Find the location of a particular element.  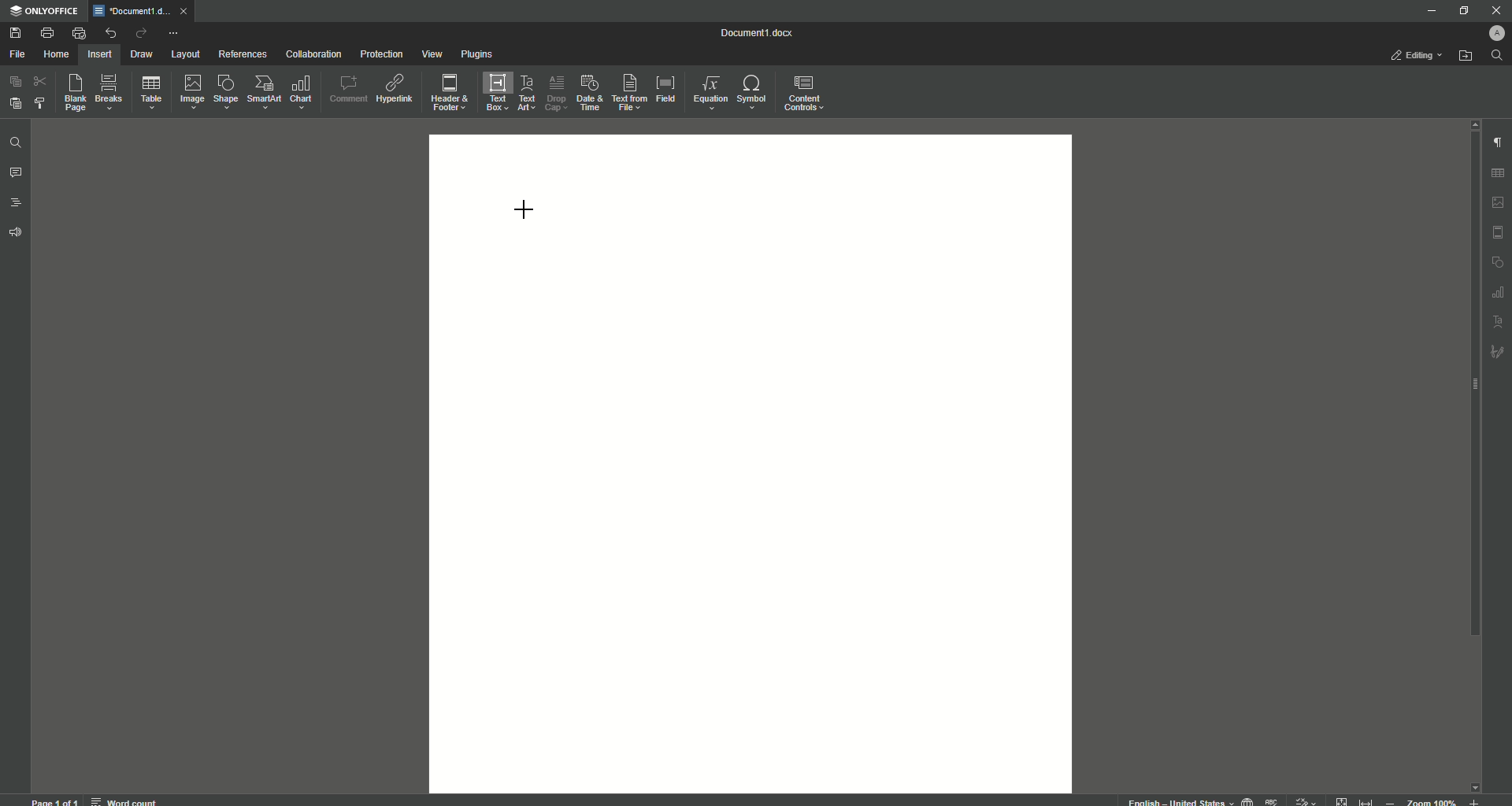

Paste is located at coordinates (14, 102).